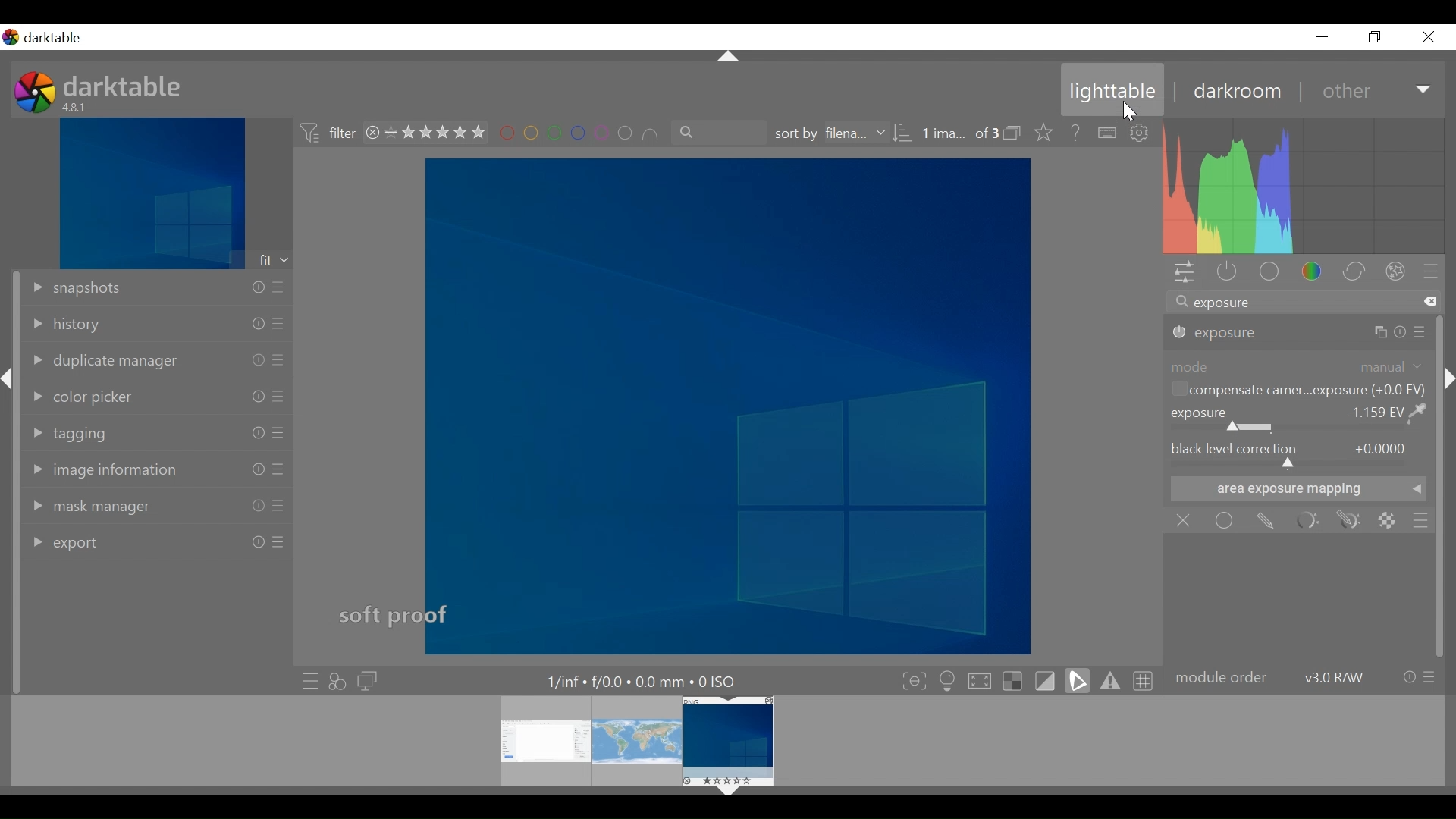 The image size is (1456, 819). What do you see at coordinates (280, 360) in the screenshot?
I see `presets` at bounding box center [280, 360].